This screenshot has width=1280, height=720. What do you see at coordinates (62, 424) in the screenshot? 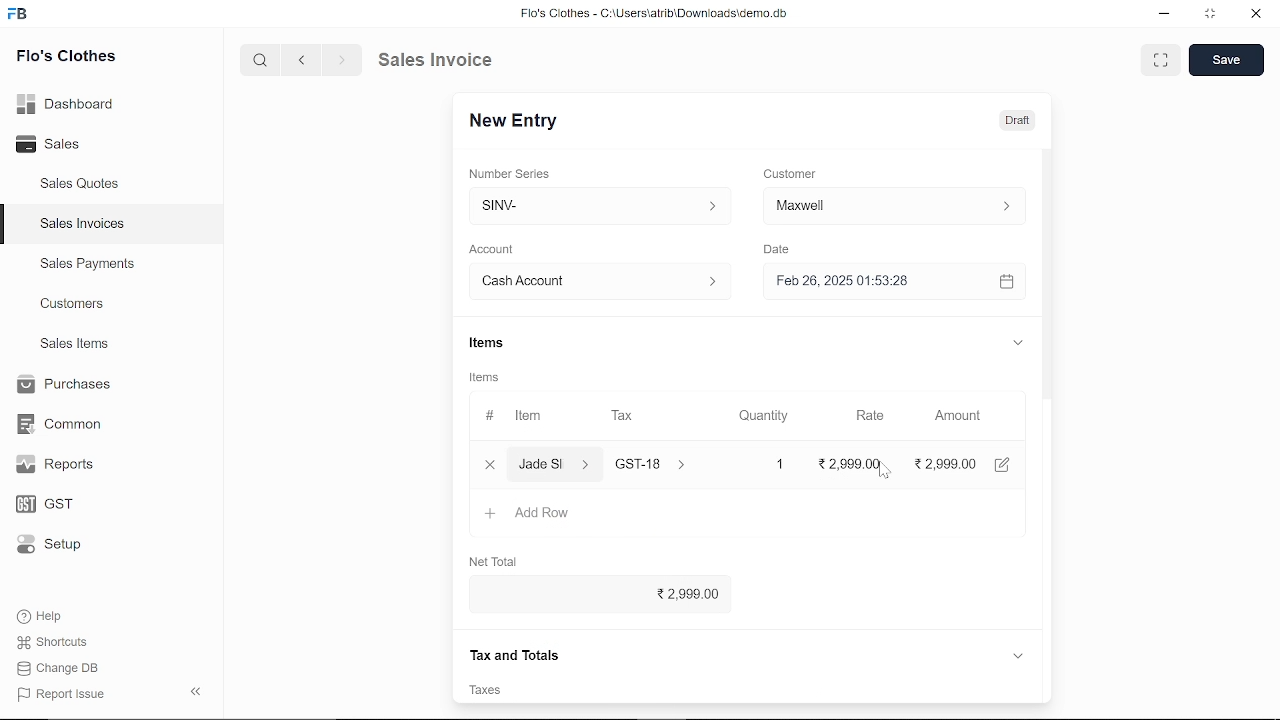
I see `Common` at bounding box center [62, 424].